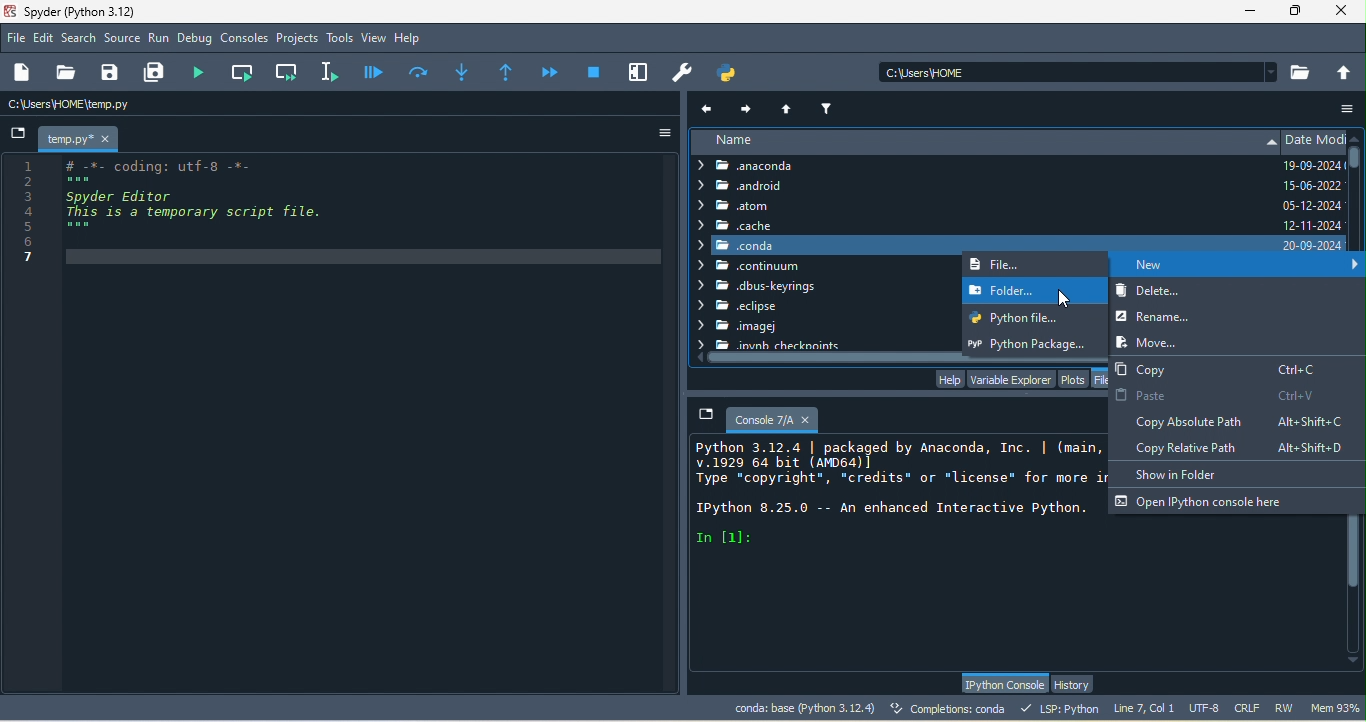 Image resolution: width=1366 pixels, height=722 pixels. I want to click on debug file, so click(374, 71).